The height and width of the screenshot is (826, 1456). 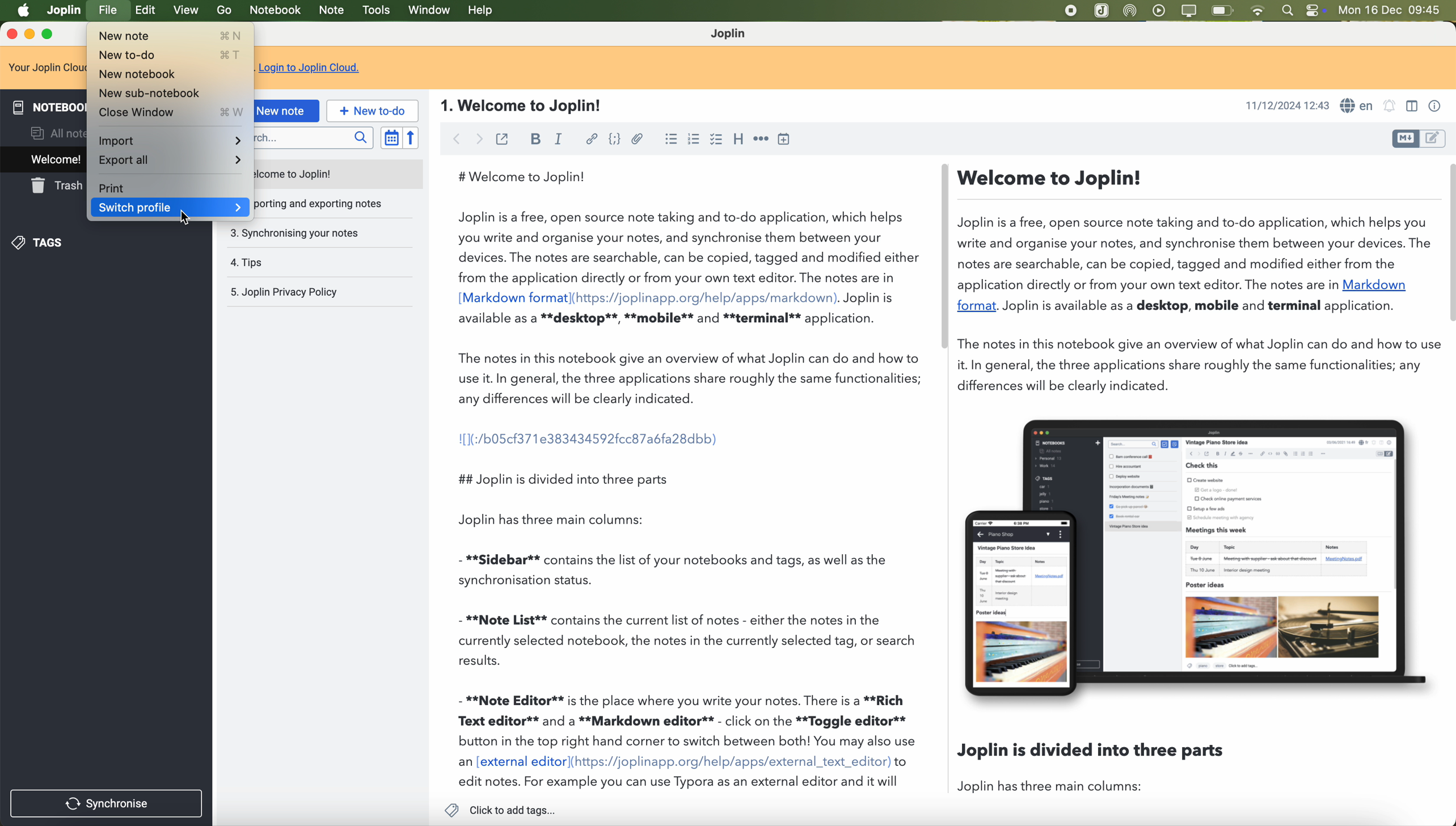 I want to click on hyperlink, so click(x=592, y=140).